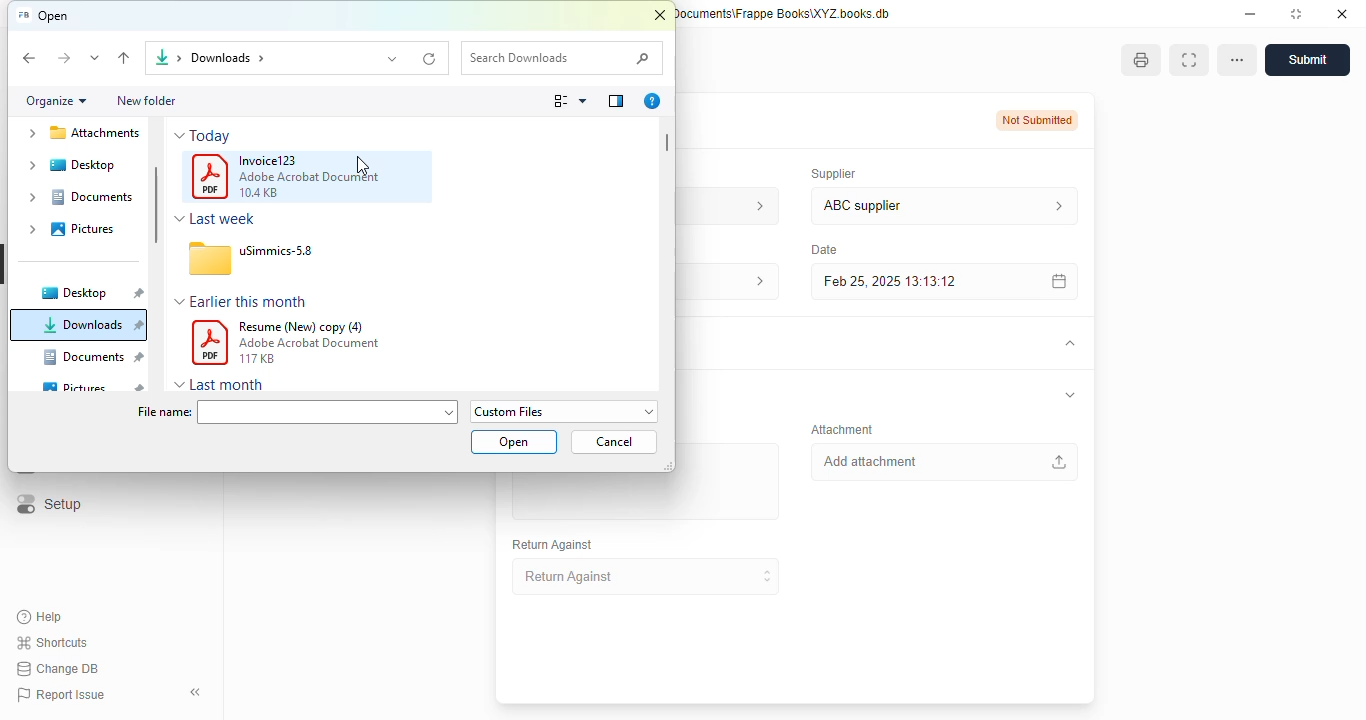 The height and width of the screenshot is (720, 1366). I want to click on return against, so click(647, 577).